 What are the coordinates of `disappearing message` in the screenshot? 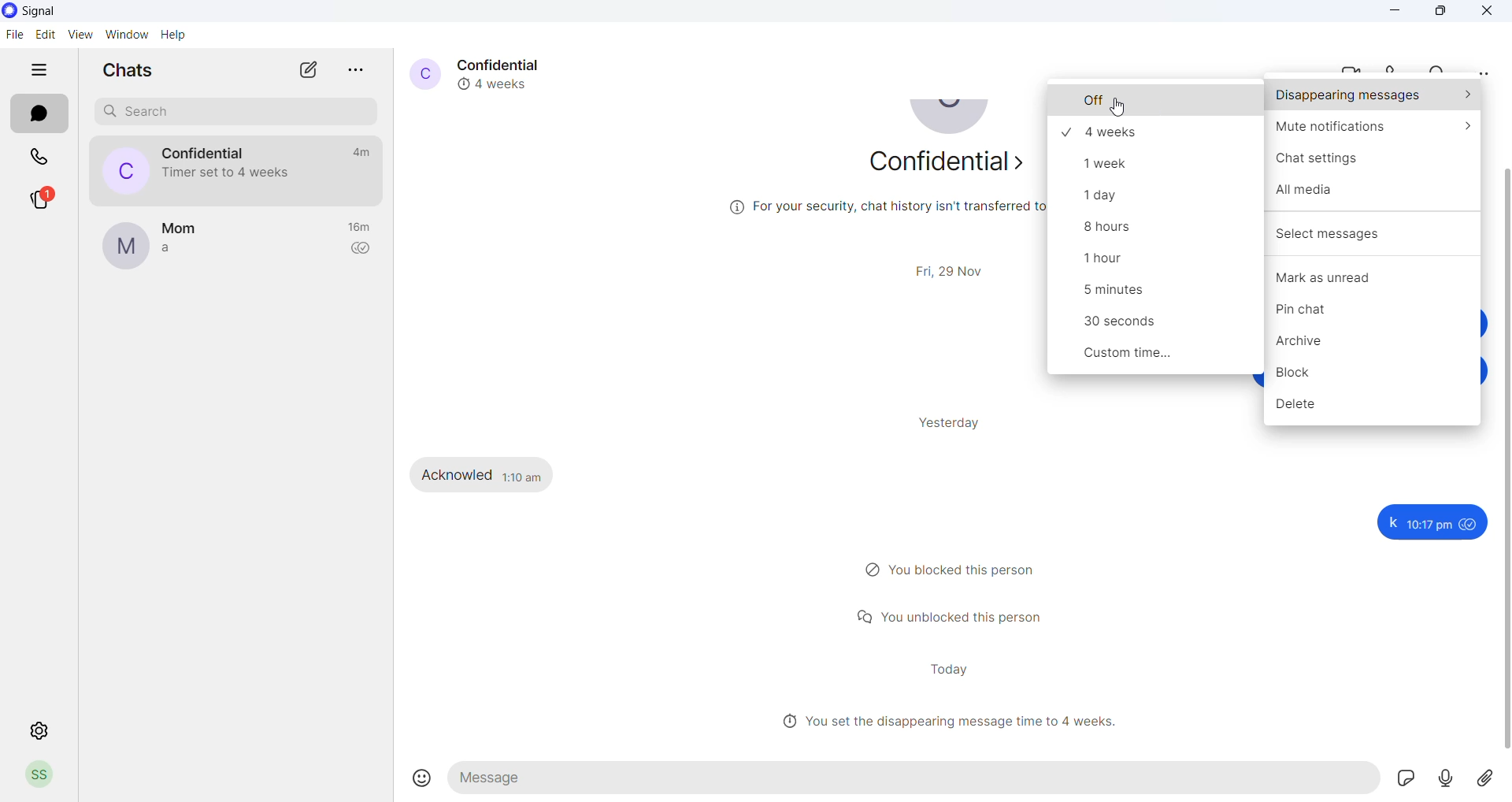 It's located at (499, 83).